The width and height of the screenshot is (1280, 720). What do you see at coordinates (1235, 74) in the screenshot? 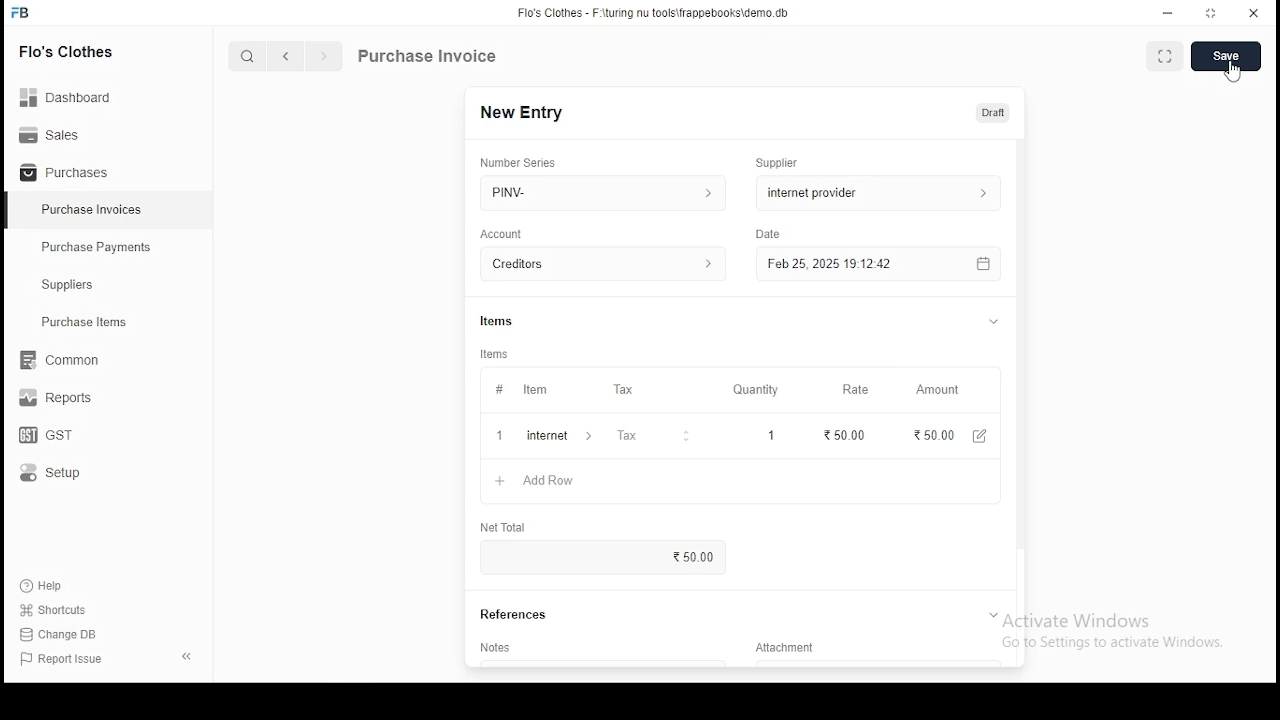
I see `mouse pointer` at bounding box center [1235, 74].